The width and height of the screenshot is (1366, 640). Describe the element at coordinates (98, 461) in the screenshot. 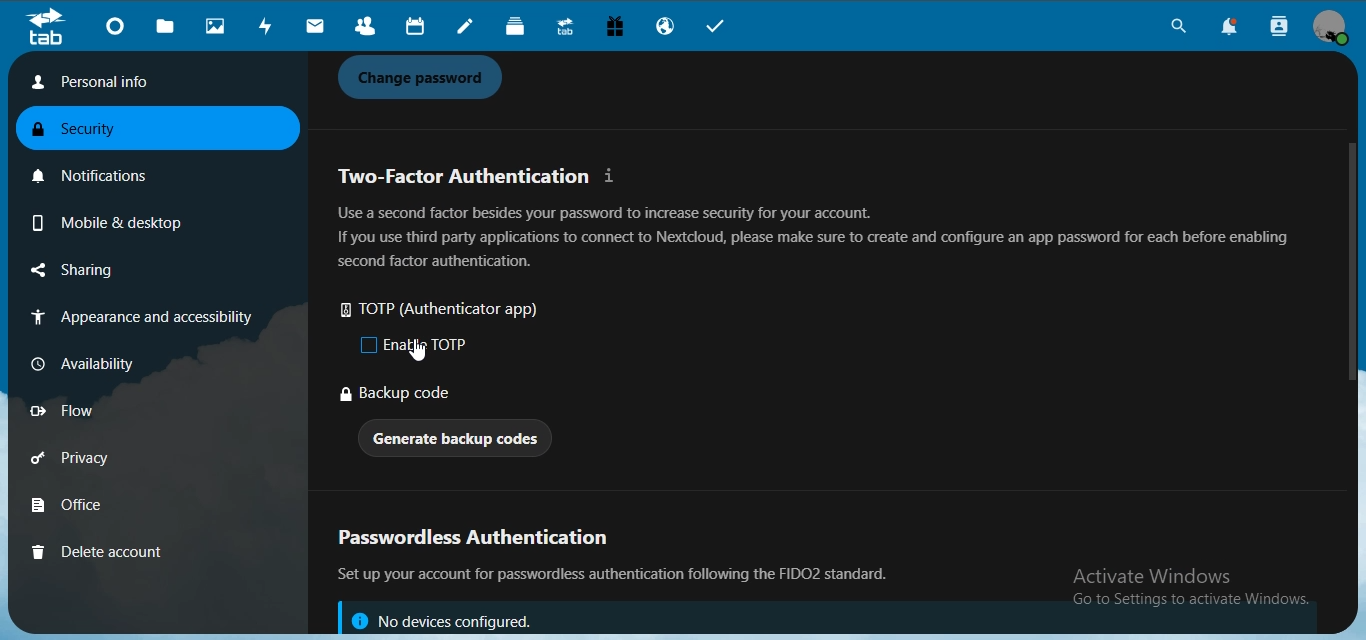

I see `privacy` at that location.